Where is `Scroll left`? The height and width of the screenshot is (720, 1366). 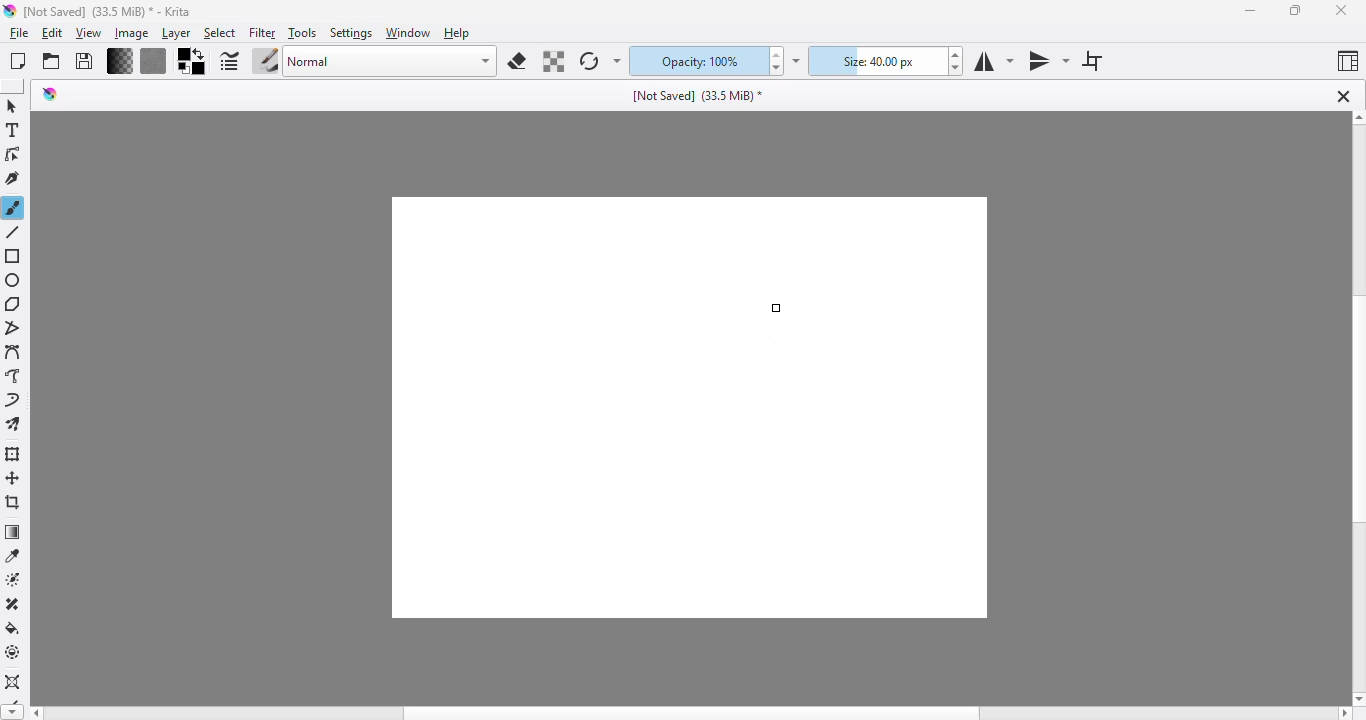 Scroll left is located at coordinates (38, 711).